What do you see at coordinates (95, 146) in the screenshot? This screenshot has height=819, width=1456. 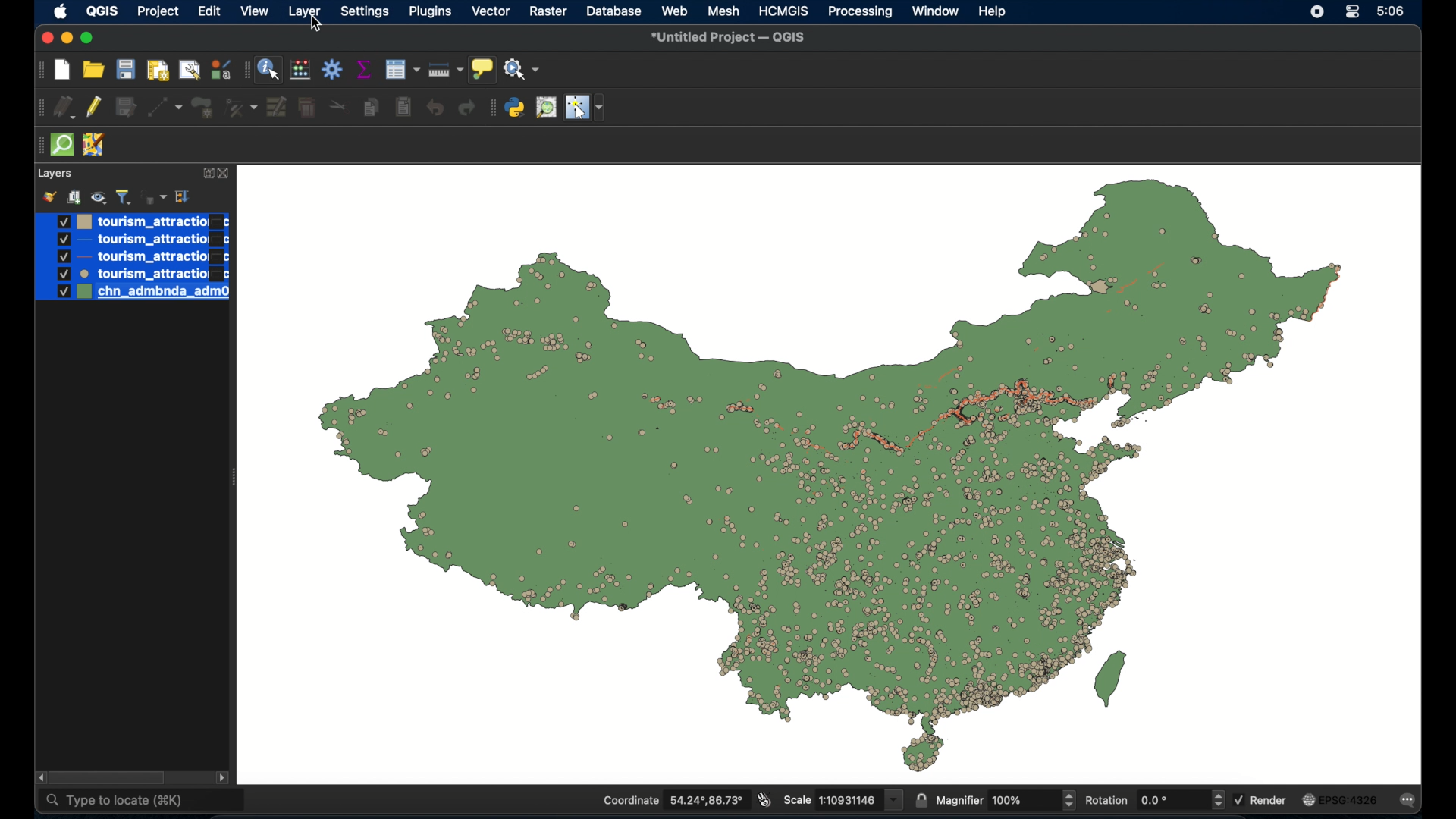 I see `jsom remote` at bounding box center [95, 146].